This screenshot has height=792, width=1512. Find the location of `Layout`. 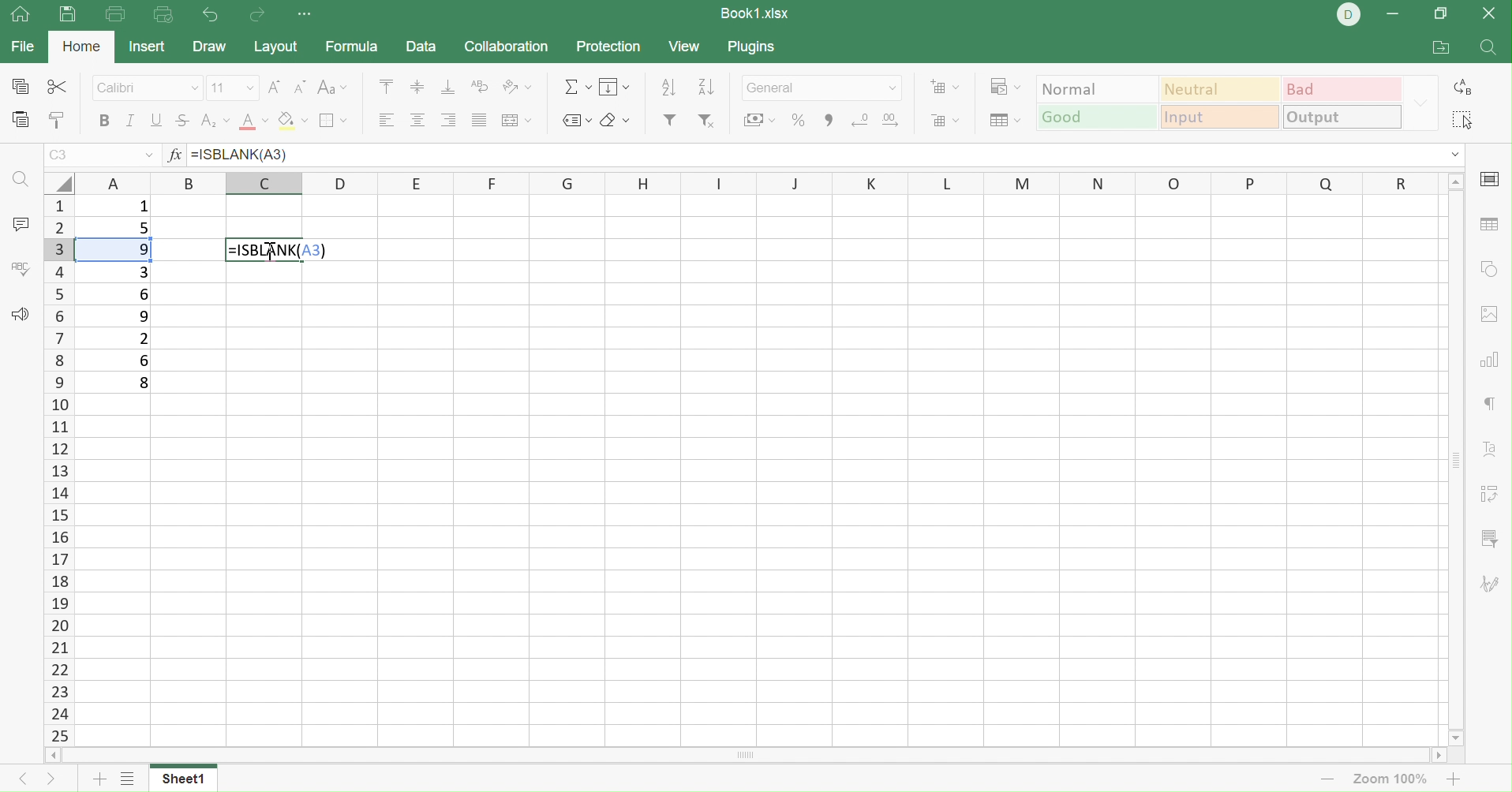

Layout is located at coordinates (275, 47).